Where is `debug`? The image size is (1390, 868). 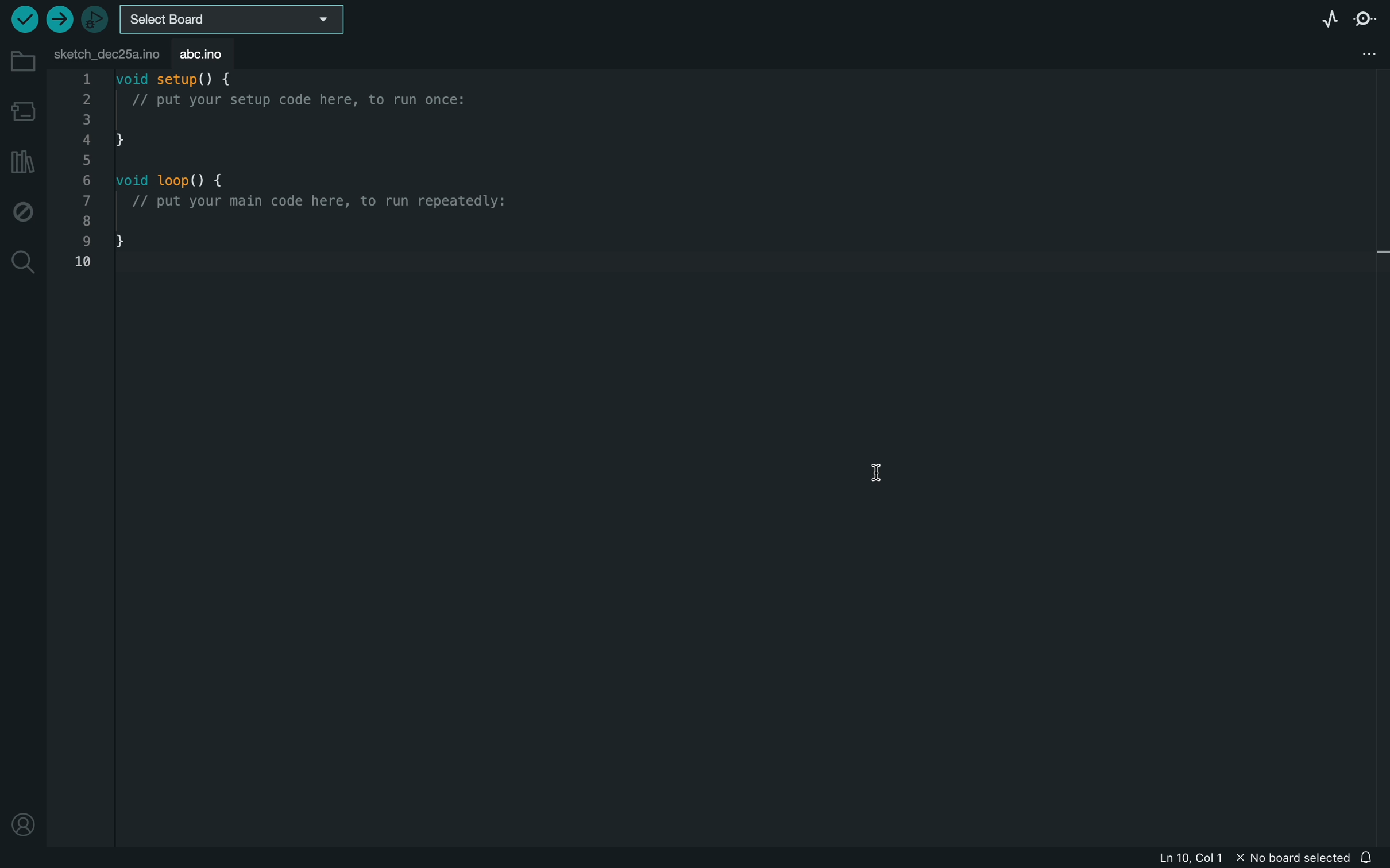 debug is located at coordinates (23, 212).